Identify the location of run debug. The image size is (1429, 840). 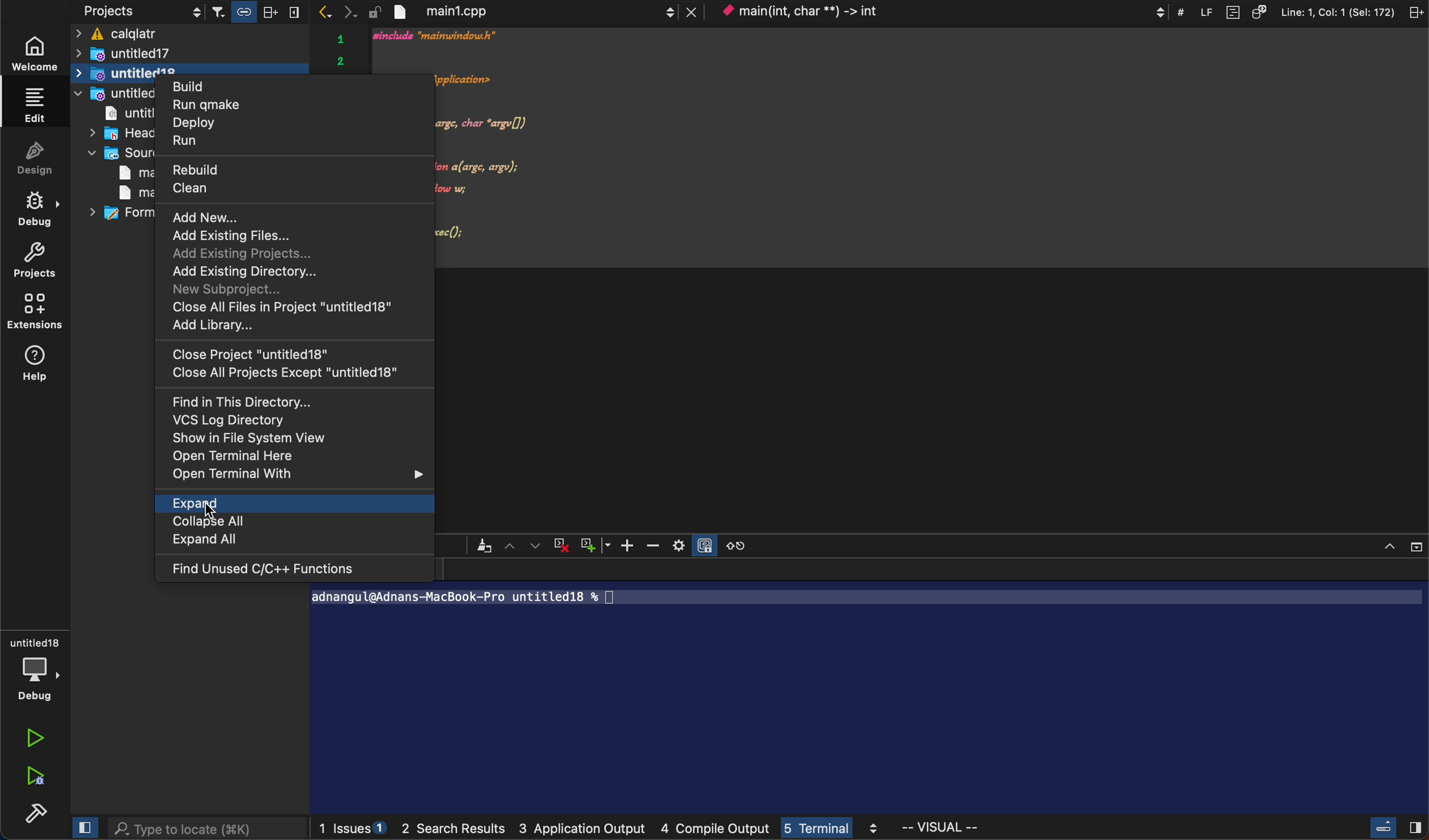
(32, 773).